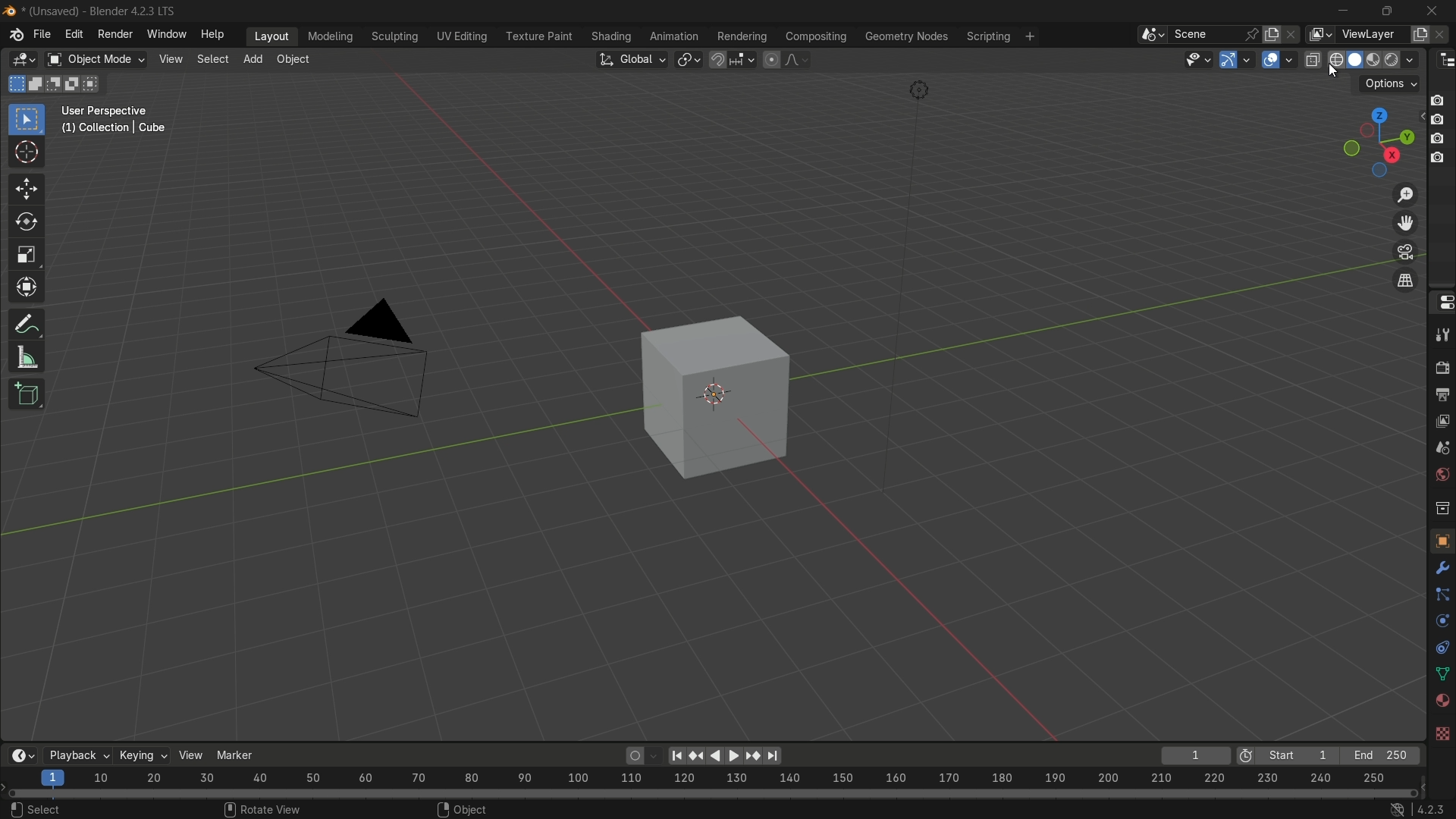  Describe the element at coordinates (94, 56) in the screenshot. I see `select mode` at that location.